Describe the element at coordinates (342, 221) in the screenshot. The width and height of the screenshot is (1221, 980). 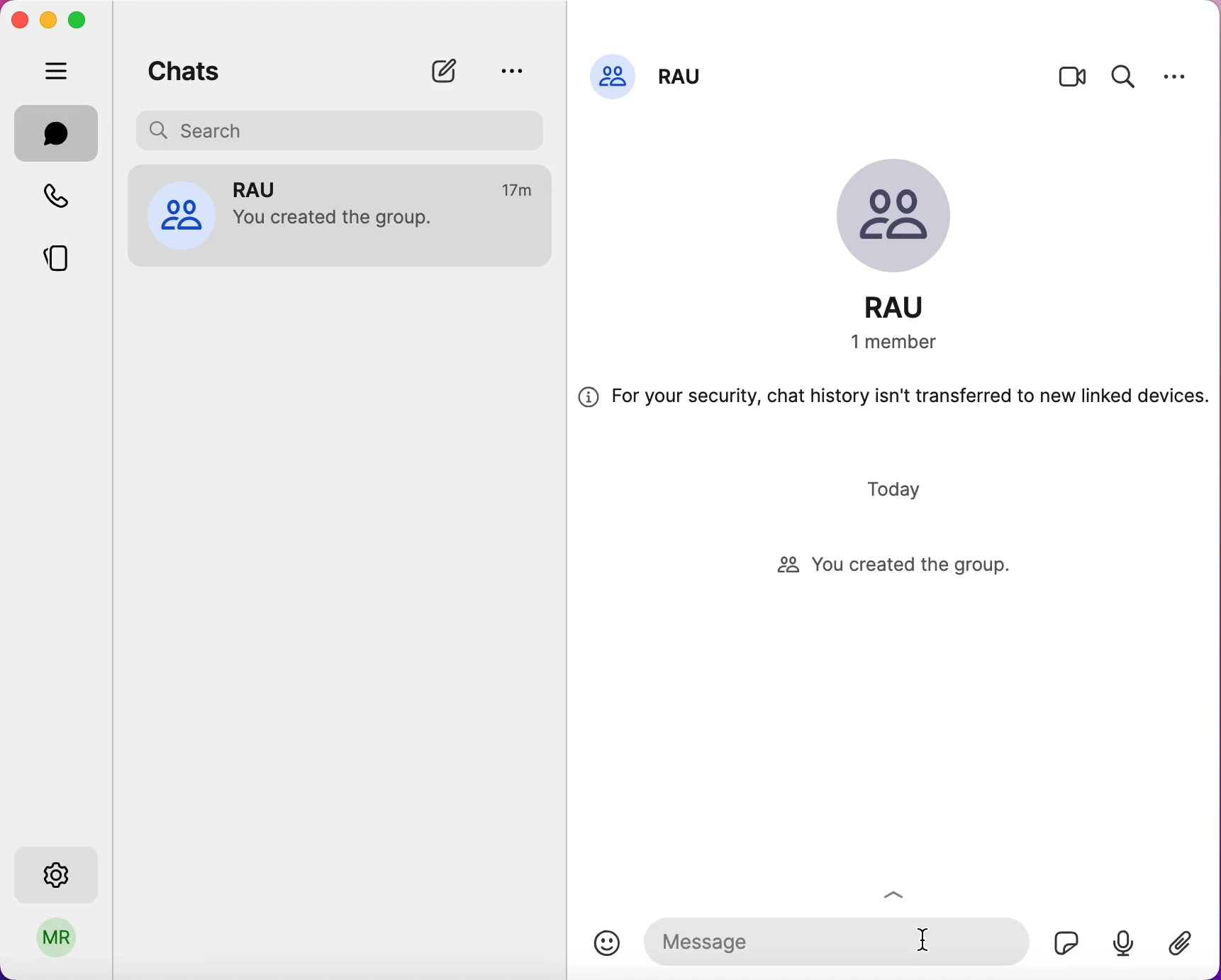
I see `You created the group.` at that location.